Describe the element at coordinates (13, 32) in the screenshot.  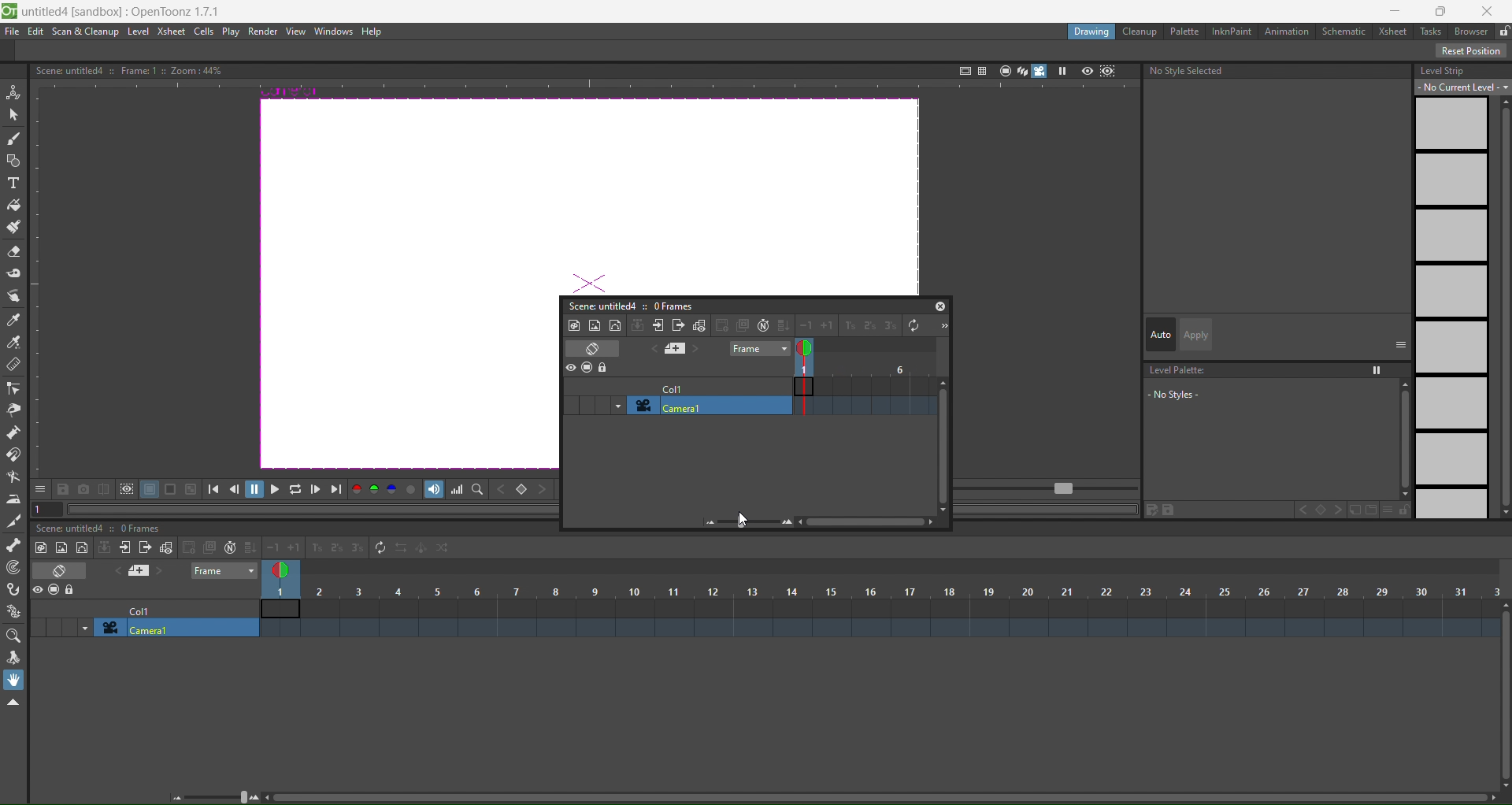
I see `file` at that location.